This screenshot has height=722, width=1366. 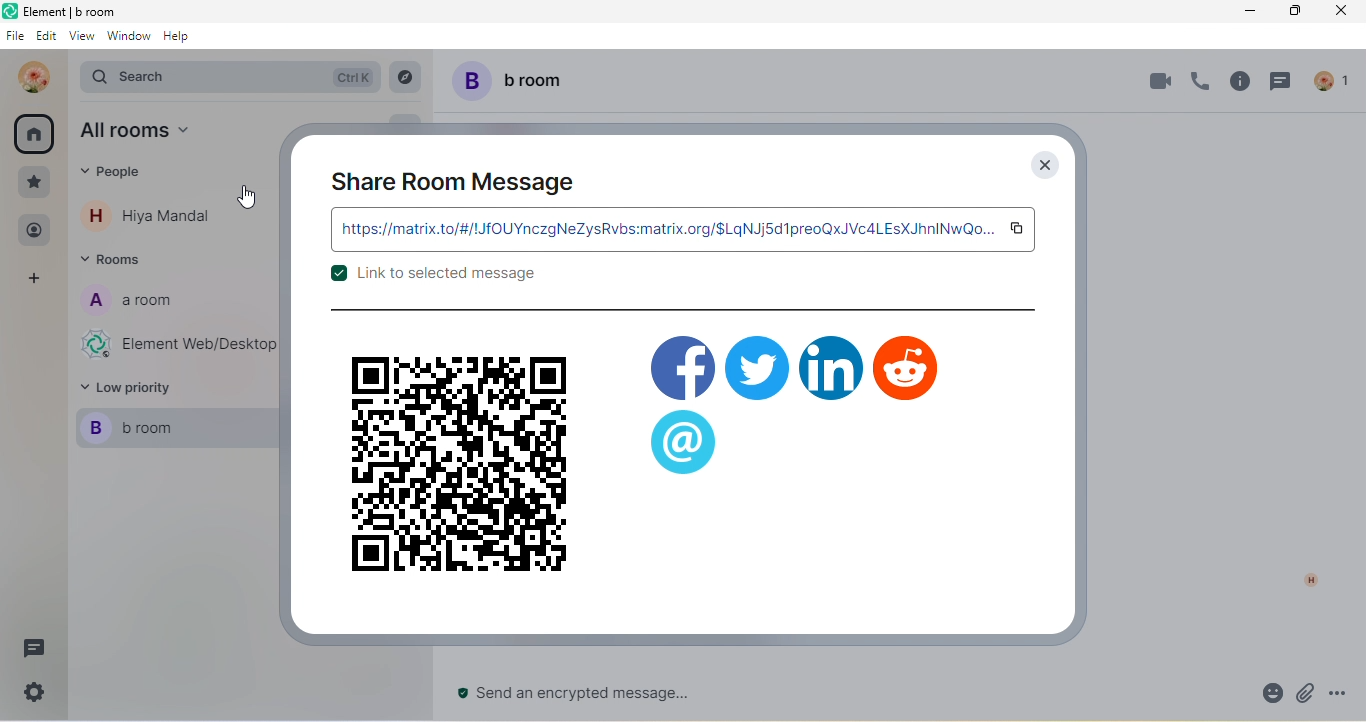 What do you see at coordinates (831, 367) in the screenshot?
I see `linkedin` at bounding box center [831, 367].